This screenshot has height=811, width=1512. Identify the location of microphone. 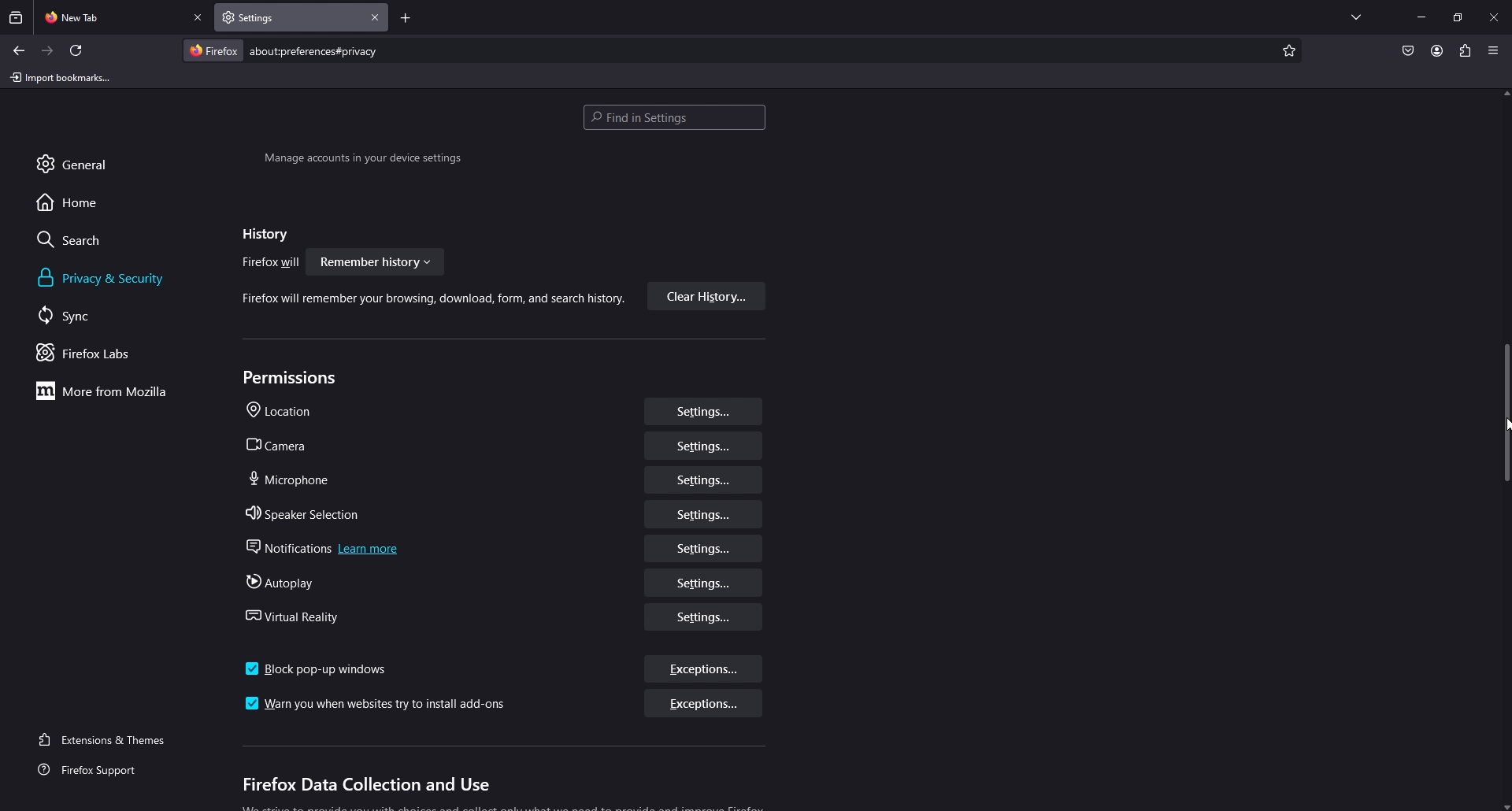
(291, 479).